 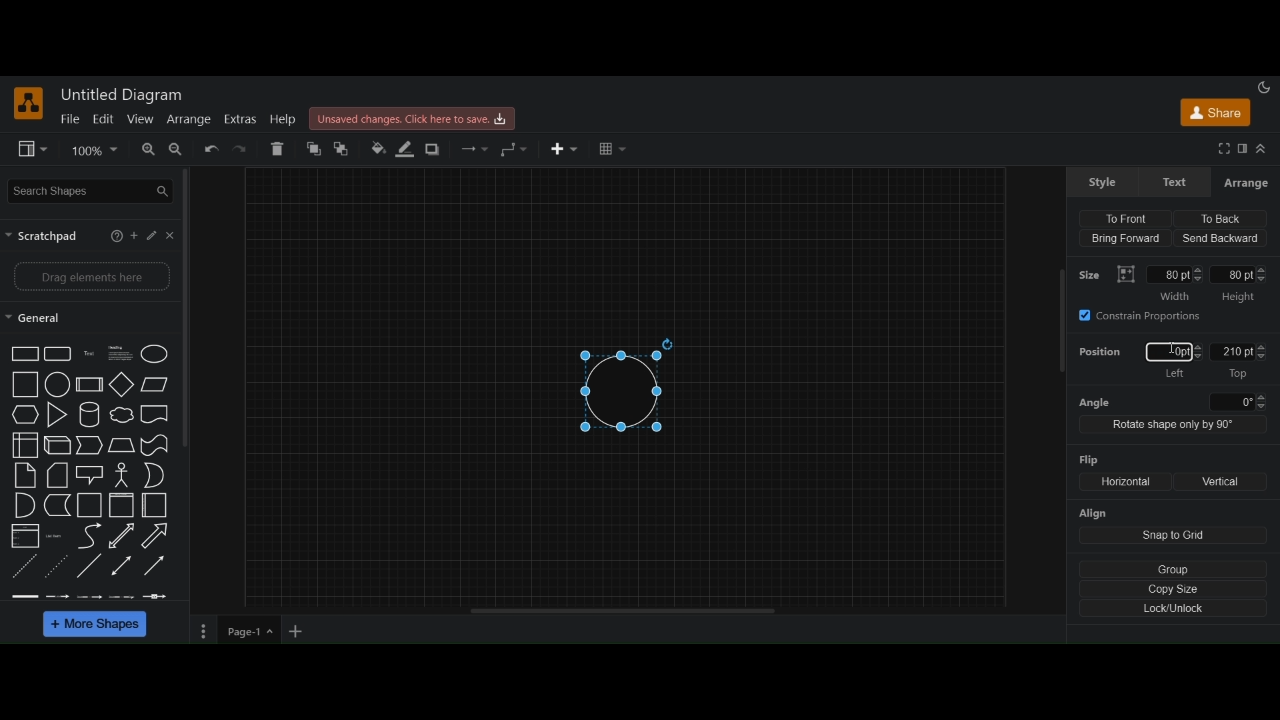 I want to click on zoom out, so click(x=177, y=151).